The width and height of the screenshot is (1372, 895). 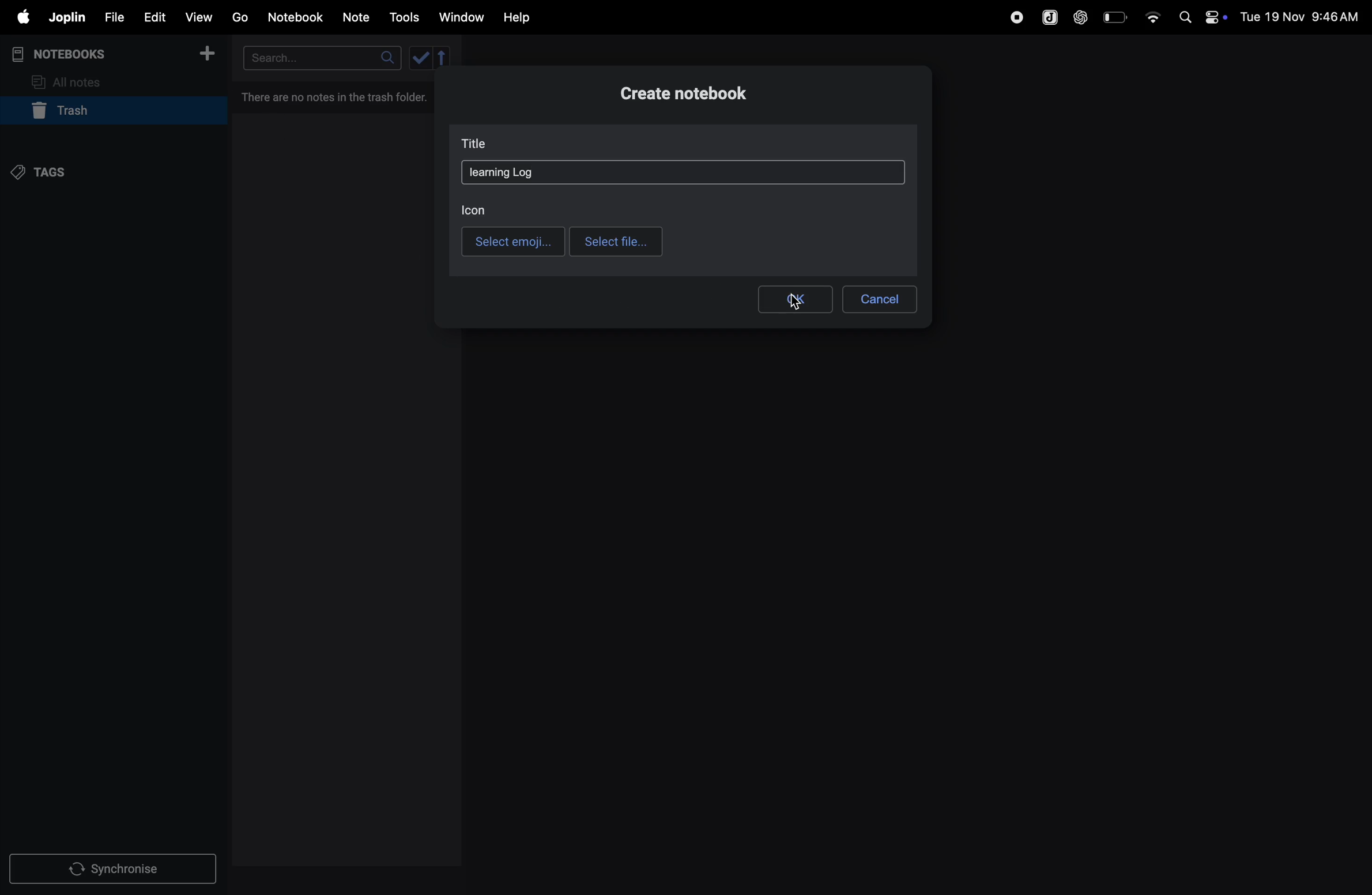 I want to click on help, so click(x=517, y=17).